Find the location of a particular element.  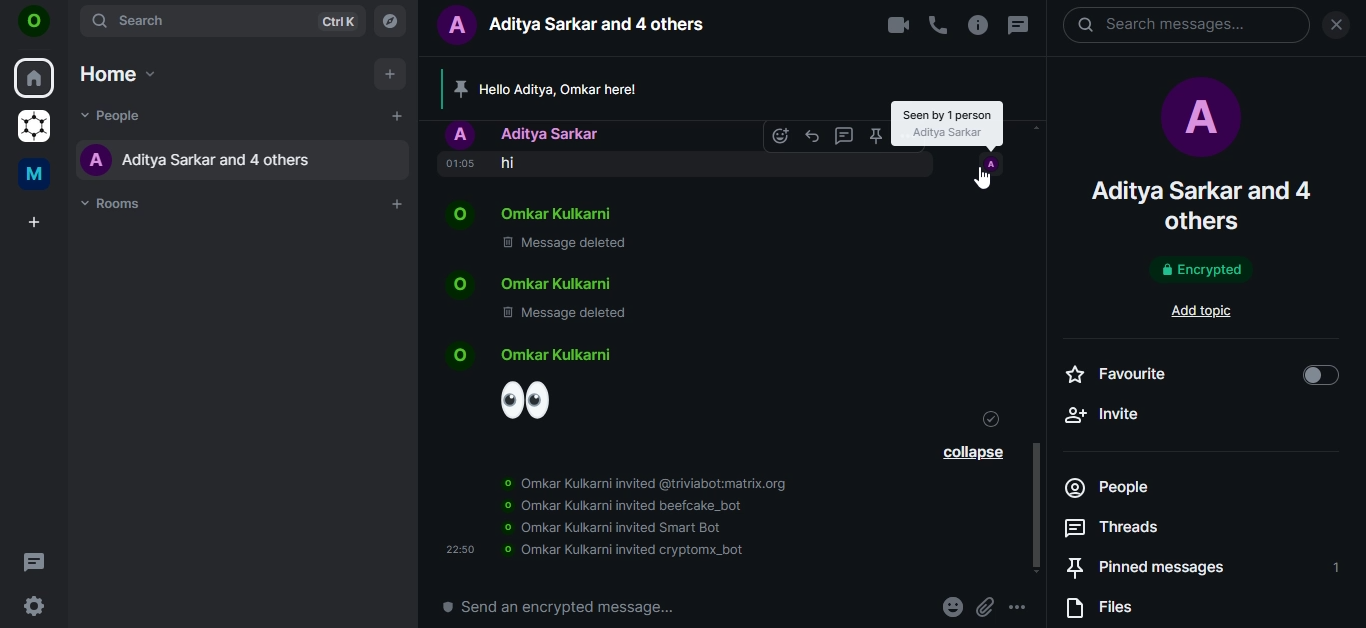

 chat messages is located at coordinates (575, 231).